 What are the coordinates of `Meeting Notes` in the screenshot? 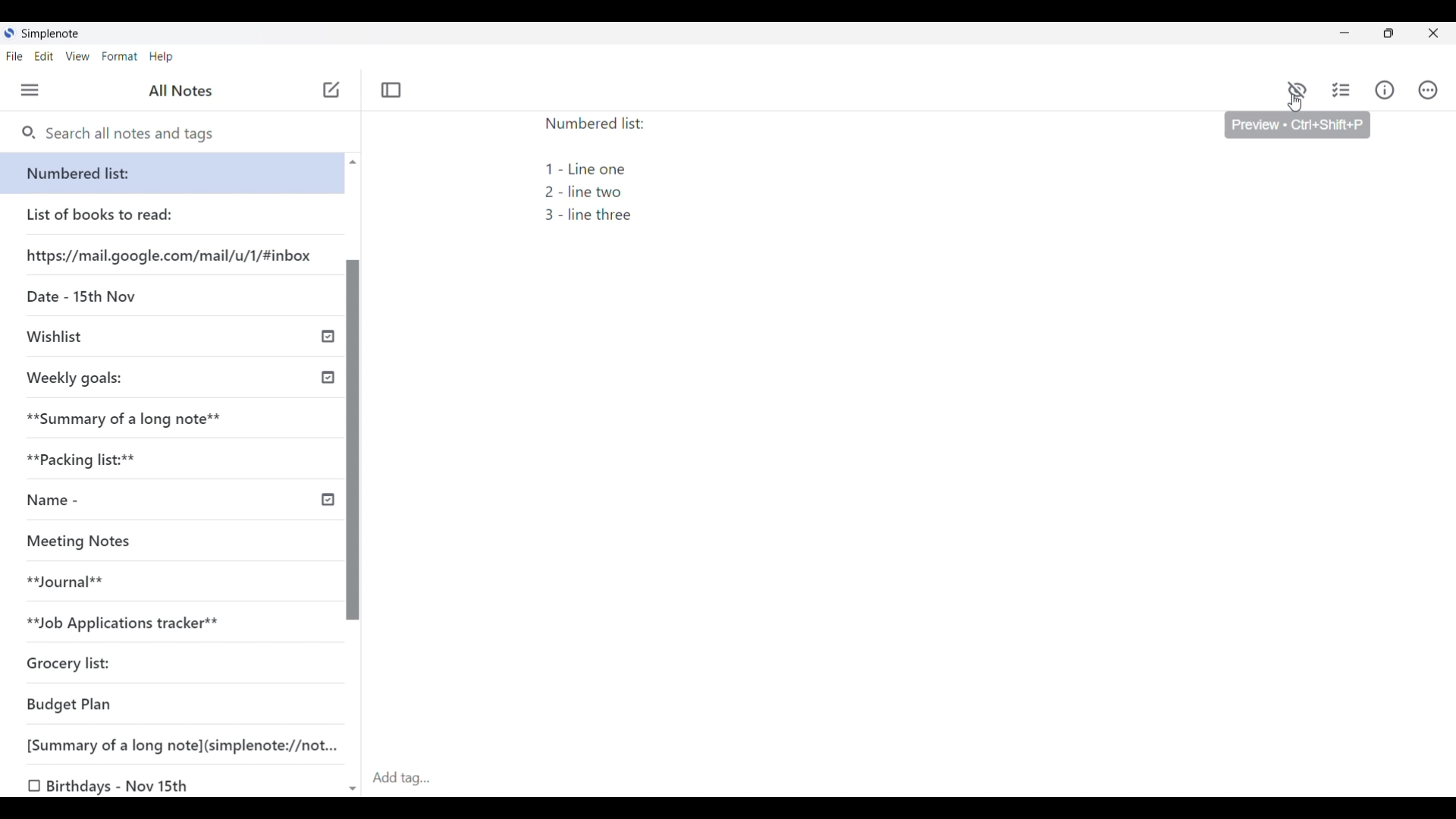 It's located at (97, 544).